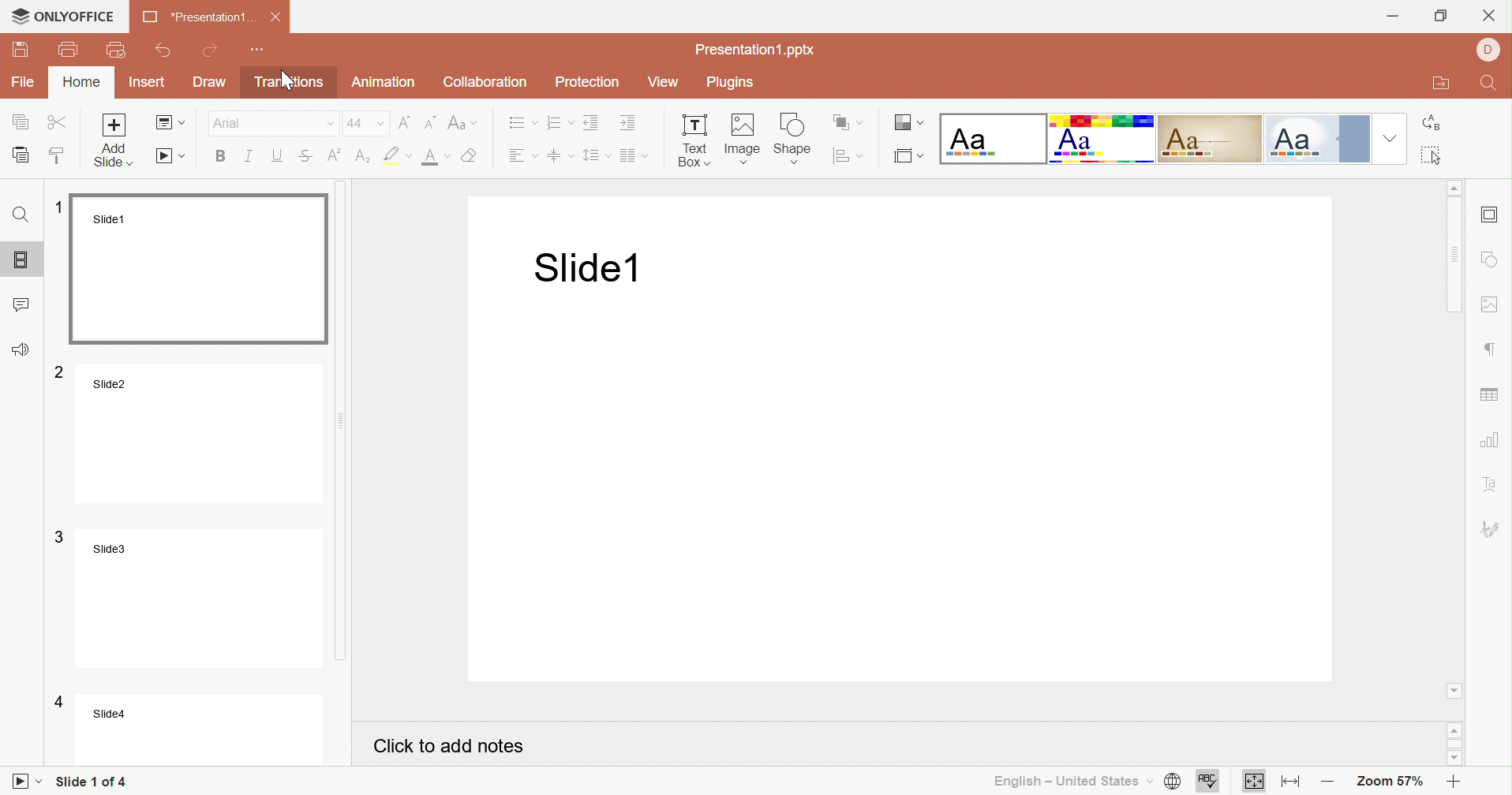  What do you see at coordinates (635, 158) in the screenshot?
I see `Insert columns` at bounding box center [635, 158].